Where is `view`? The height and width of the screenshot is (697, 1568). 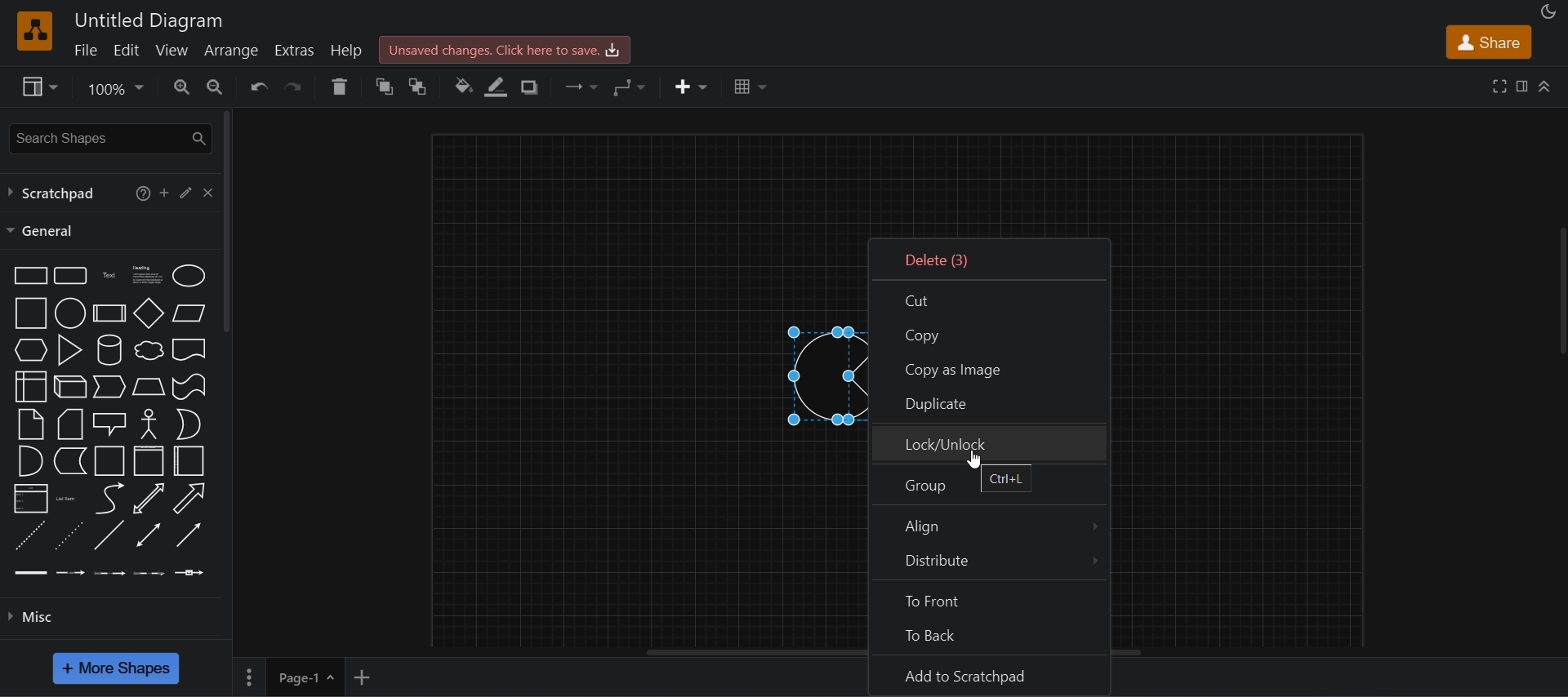 view is located at coordinates (173, 50).